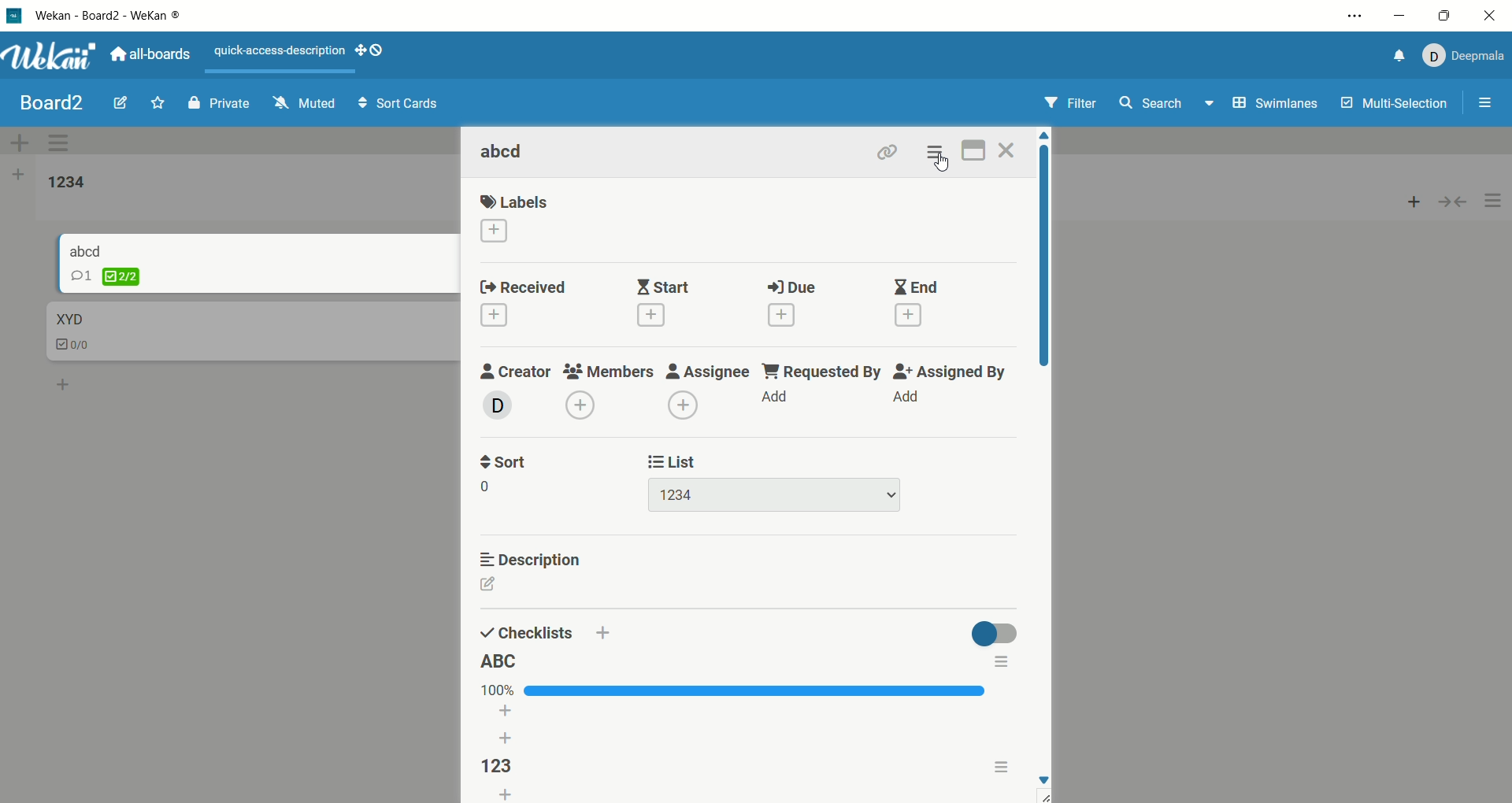 Image resolution: width=1512 pixels, height=803 pixels. What do you see at coordinates (114, 103) in the screenshot?
I see `edit` at bounding box center [114, 103].